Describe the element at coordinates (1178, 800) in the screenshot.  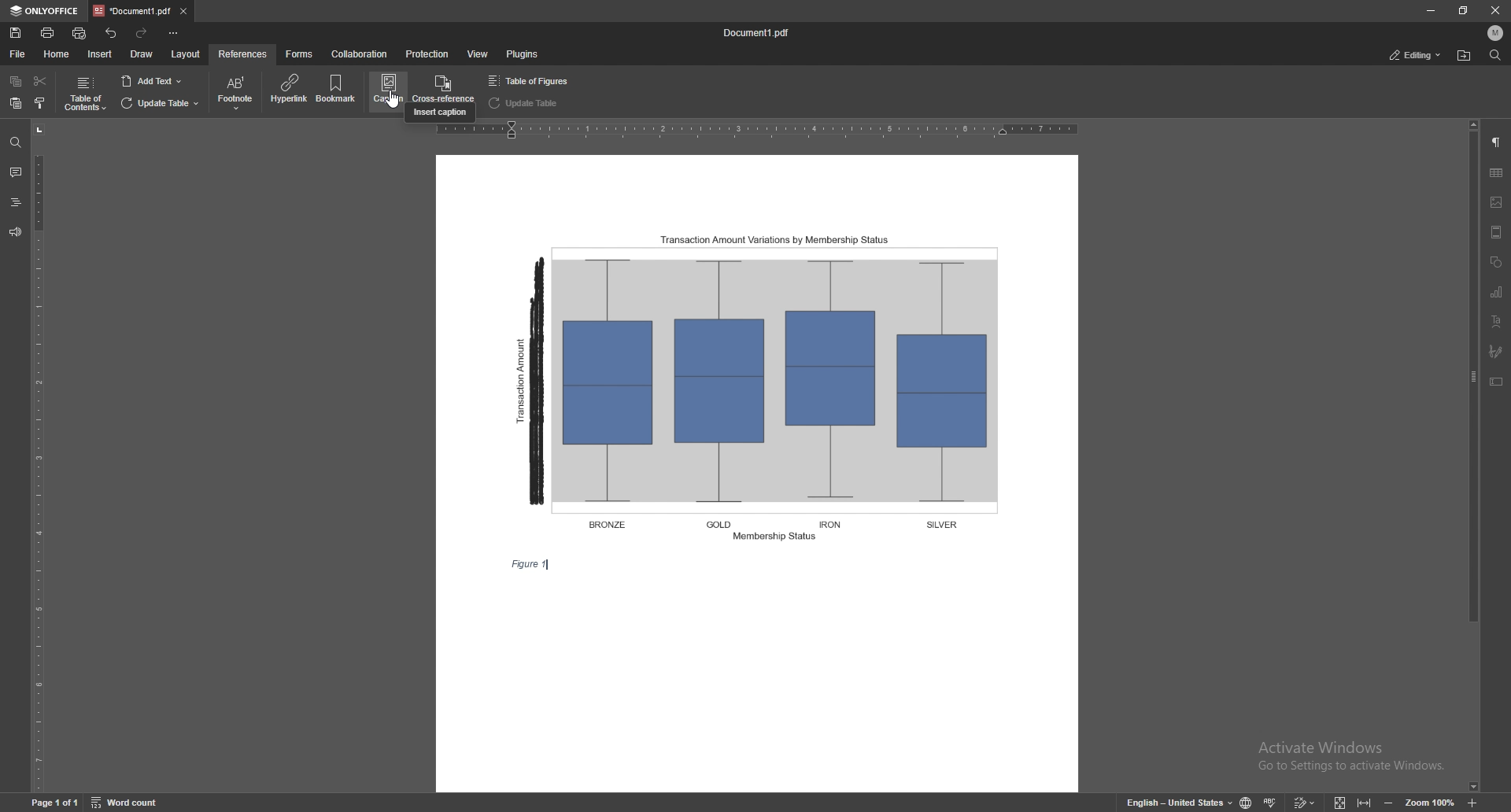
I see `change text language` at that location.